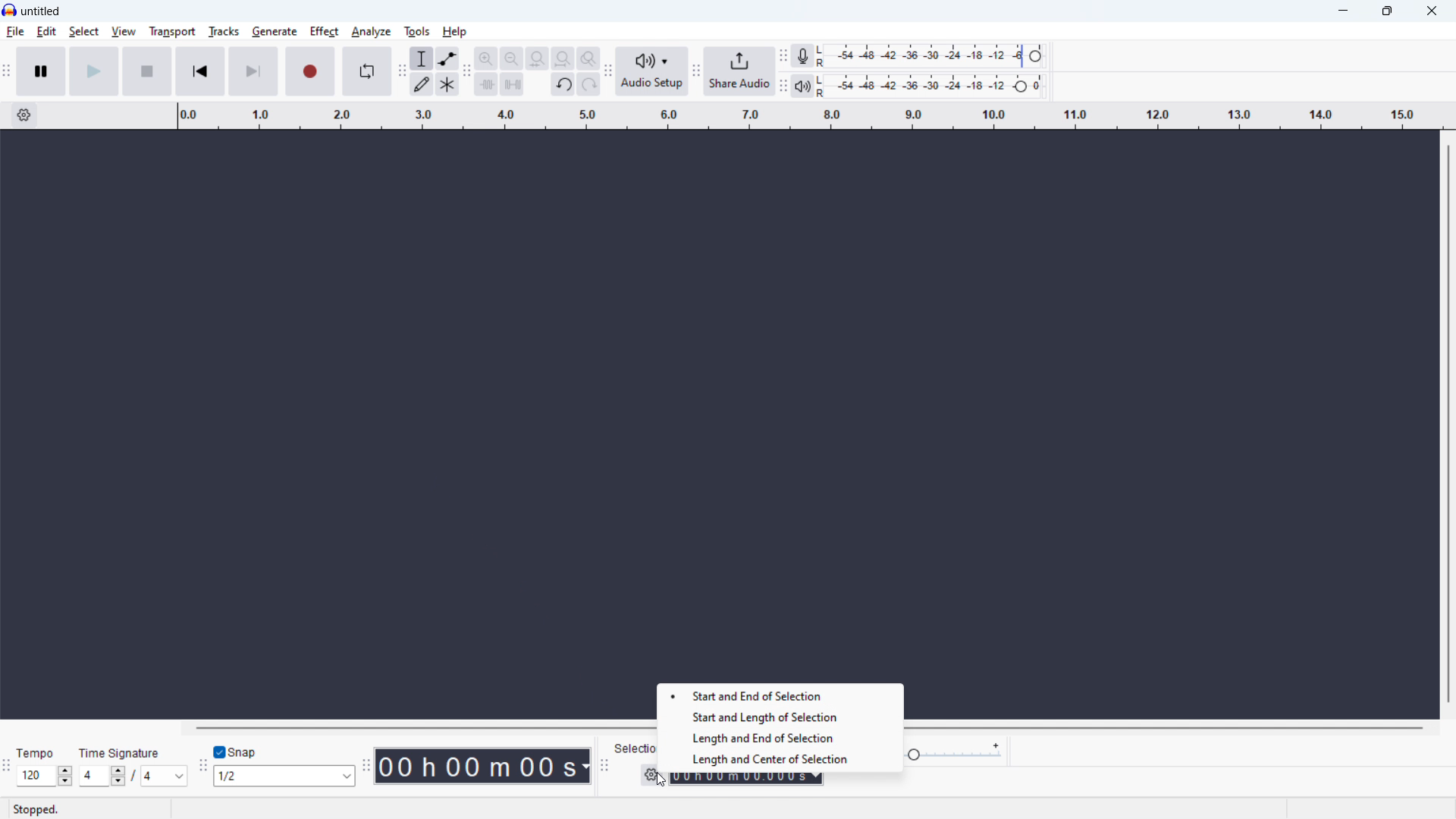 The width and height of the screenshot is (1456, 819). What do you see at coordinates (809, 115) in the screenshot?
I see `timeline` at bounding box center [809, 115].